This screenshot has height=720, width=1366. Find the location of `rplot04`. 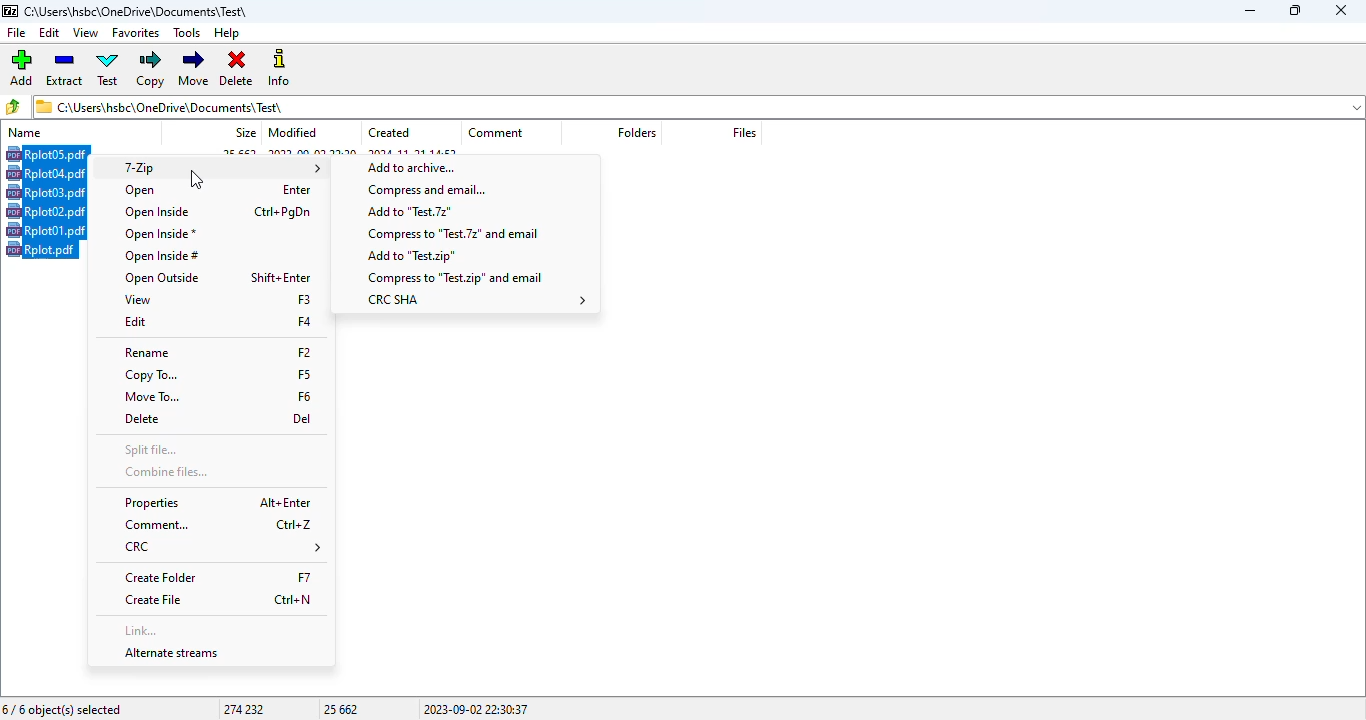

rplot04 is located at coordinates (45, 173).